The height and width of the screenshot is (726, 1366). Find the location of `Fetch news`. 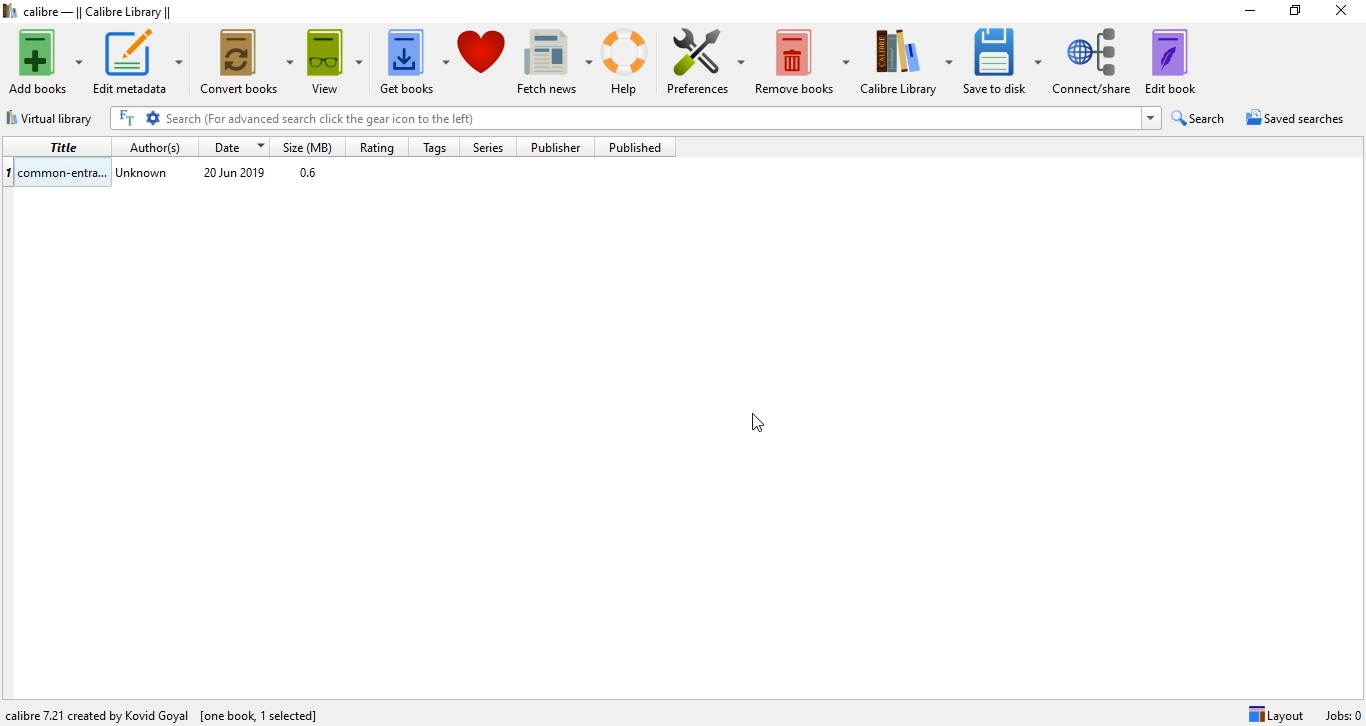

Fetch news is located at coordinates (553, 57).